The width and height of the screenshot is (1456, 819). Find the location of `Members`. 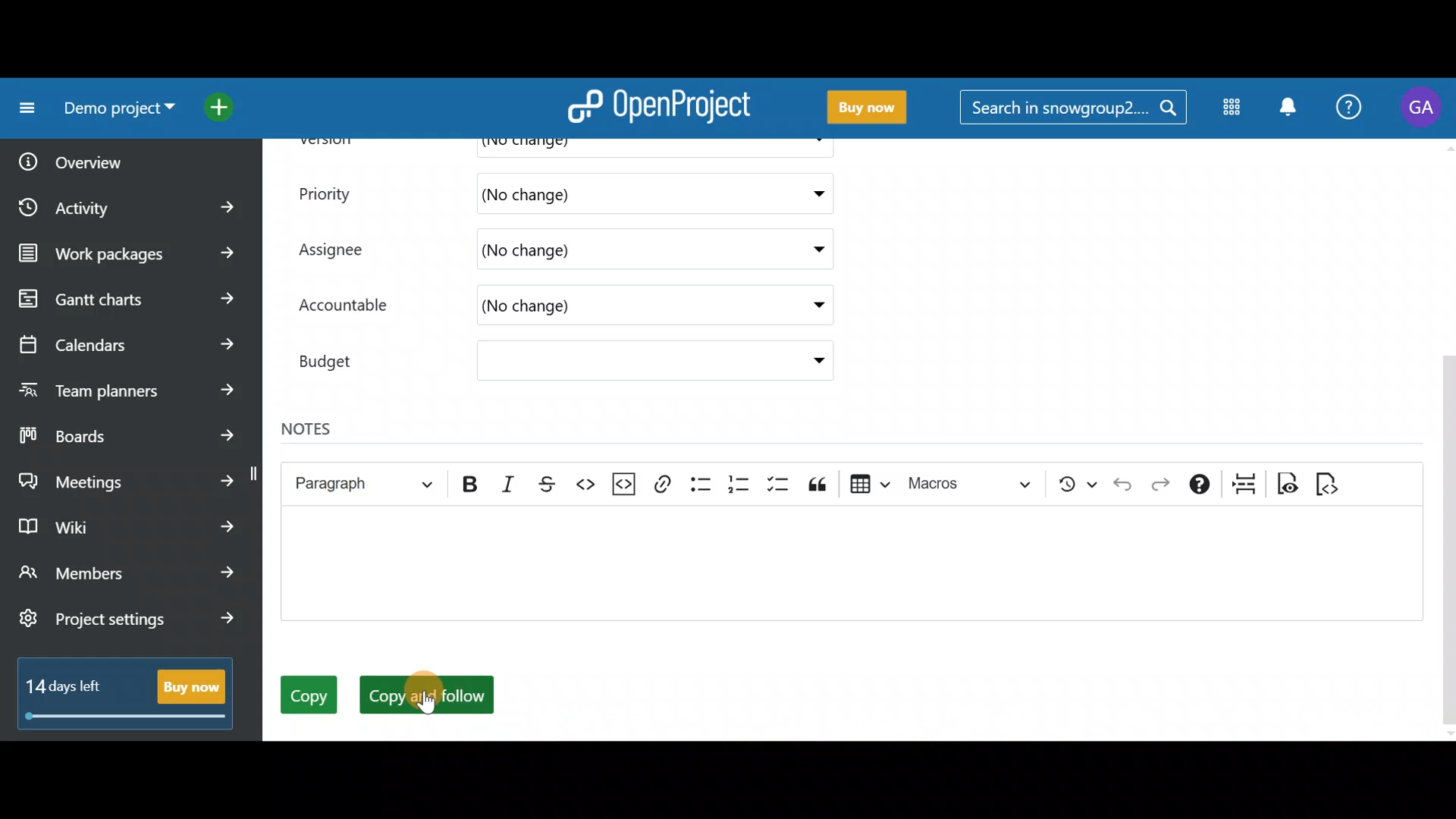

Members is located at coordinates (131, 579).